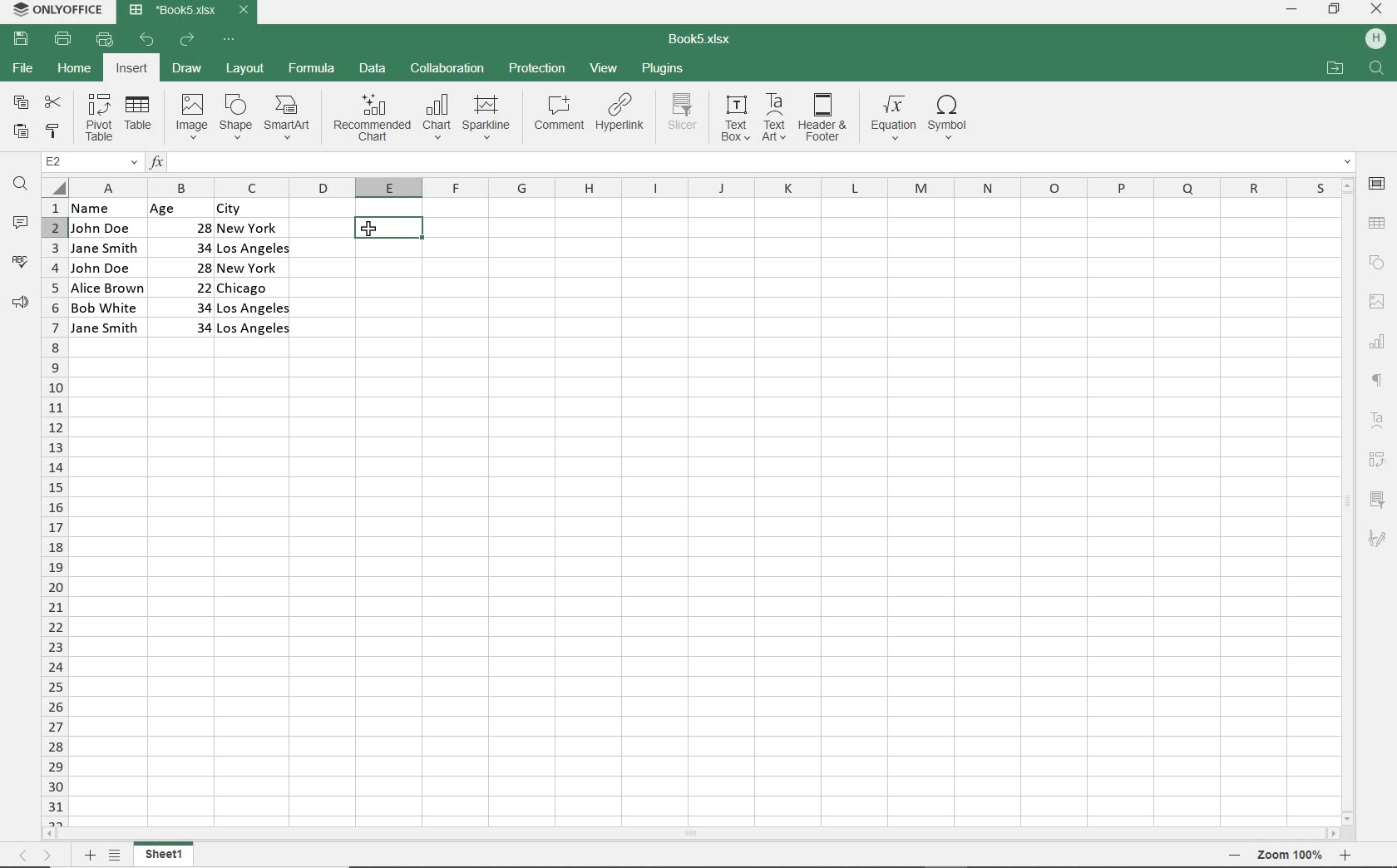  I want to click on RECOMMENDED CHART, so click(371, 120).